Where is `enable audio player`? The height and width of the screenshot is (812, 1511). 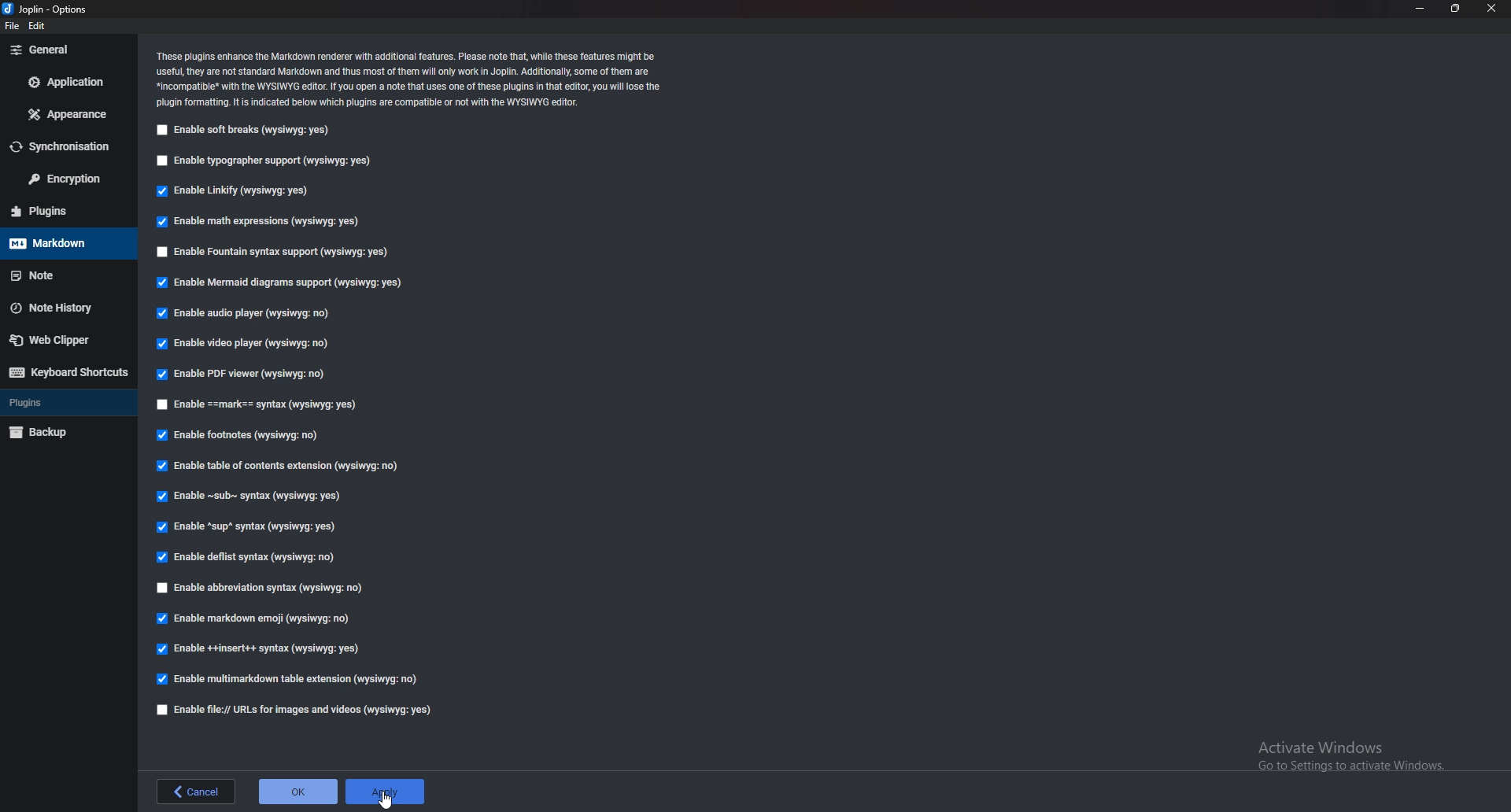 enable audio player is located at coordinates (249, 312).